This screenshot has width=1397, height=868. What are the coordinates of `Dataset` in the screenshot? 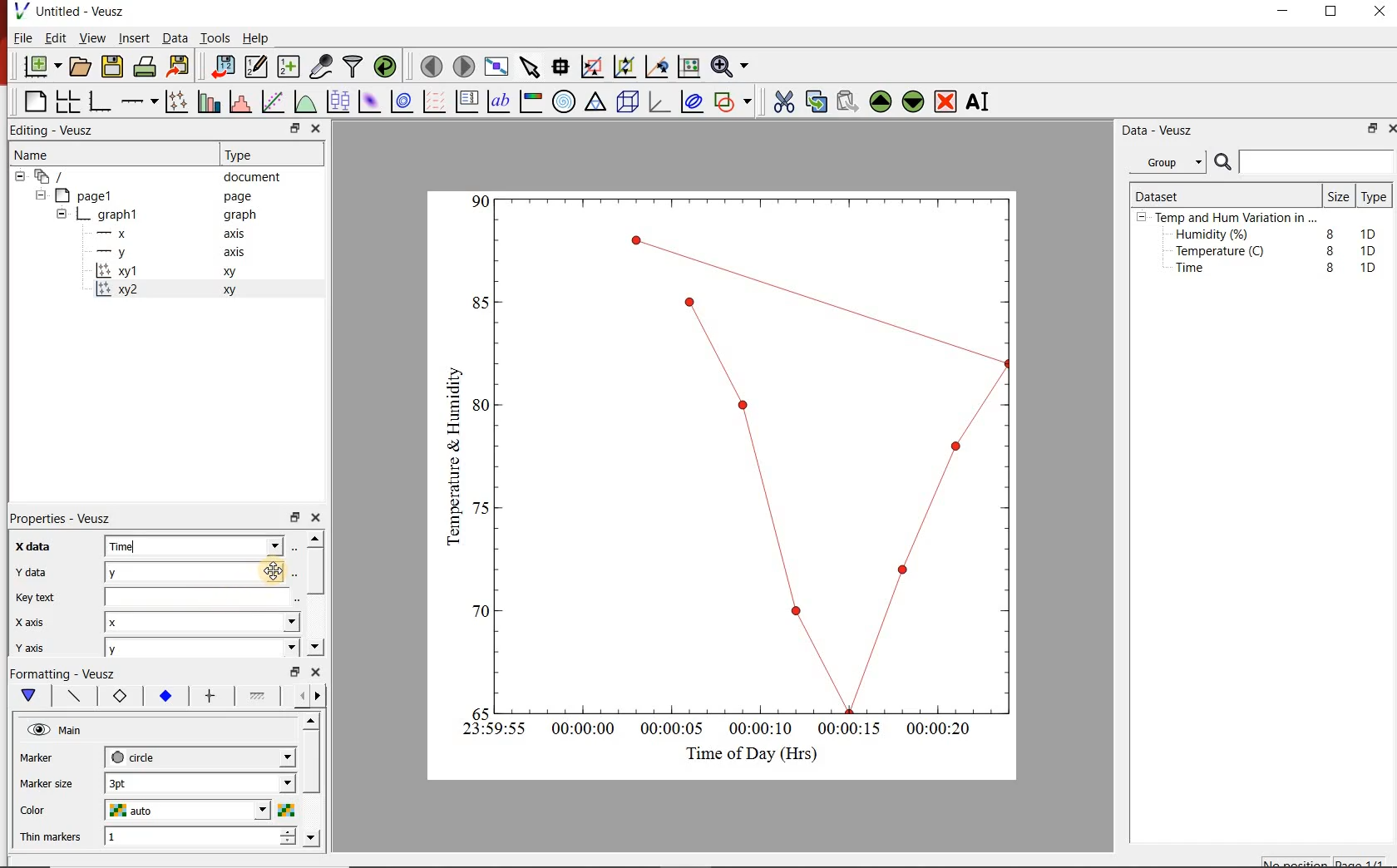 It's located at (1164, 194).